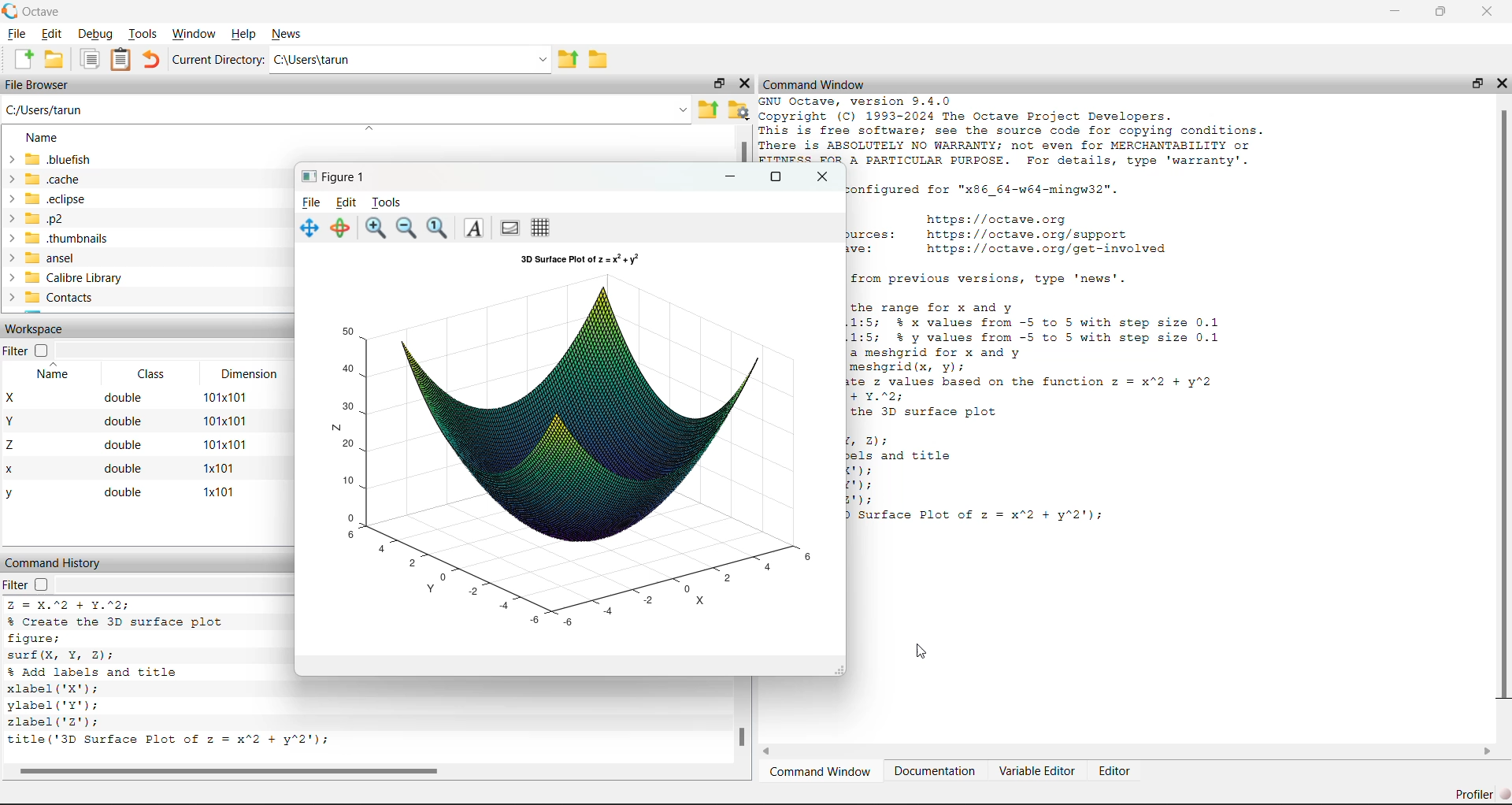 The width and height of the screenshot is (1512, 805). Describe the element at coordinates (309, 229) in the screenshot. I see `Move` at that location.